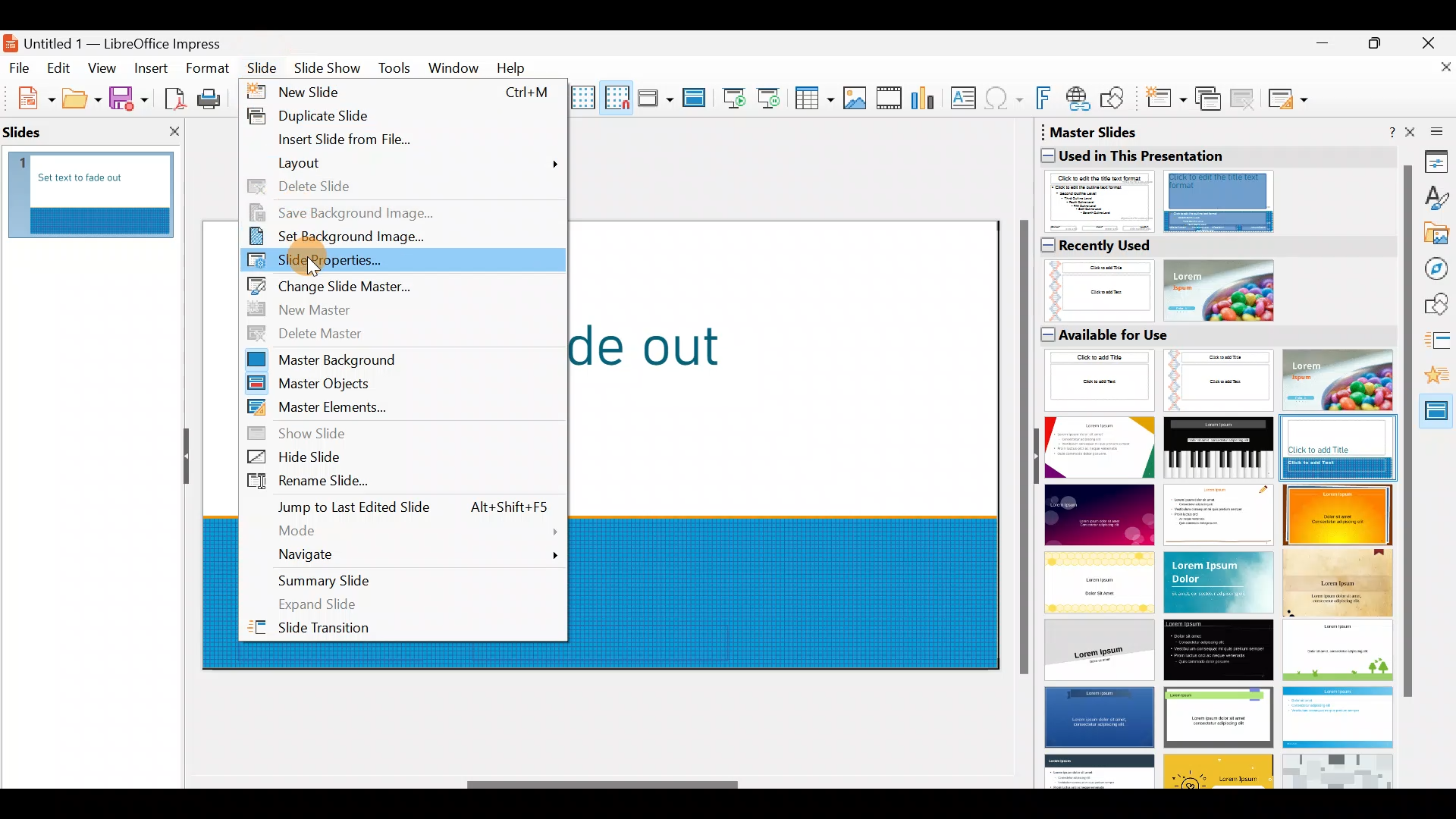 The height and width of the screenshot is (819, 1456). I want to click on Format, so click(206, 67).